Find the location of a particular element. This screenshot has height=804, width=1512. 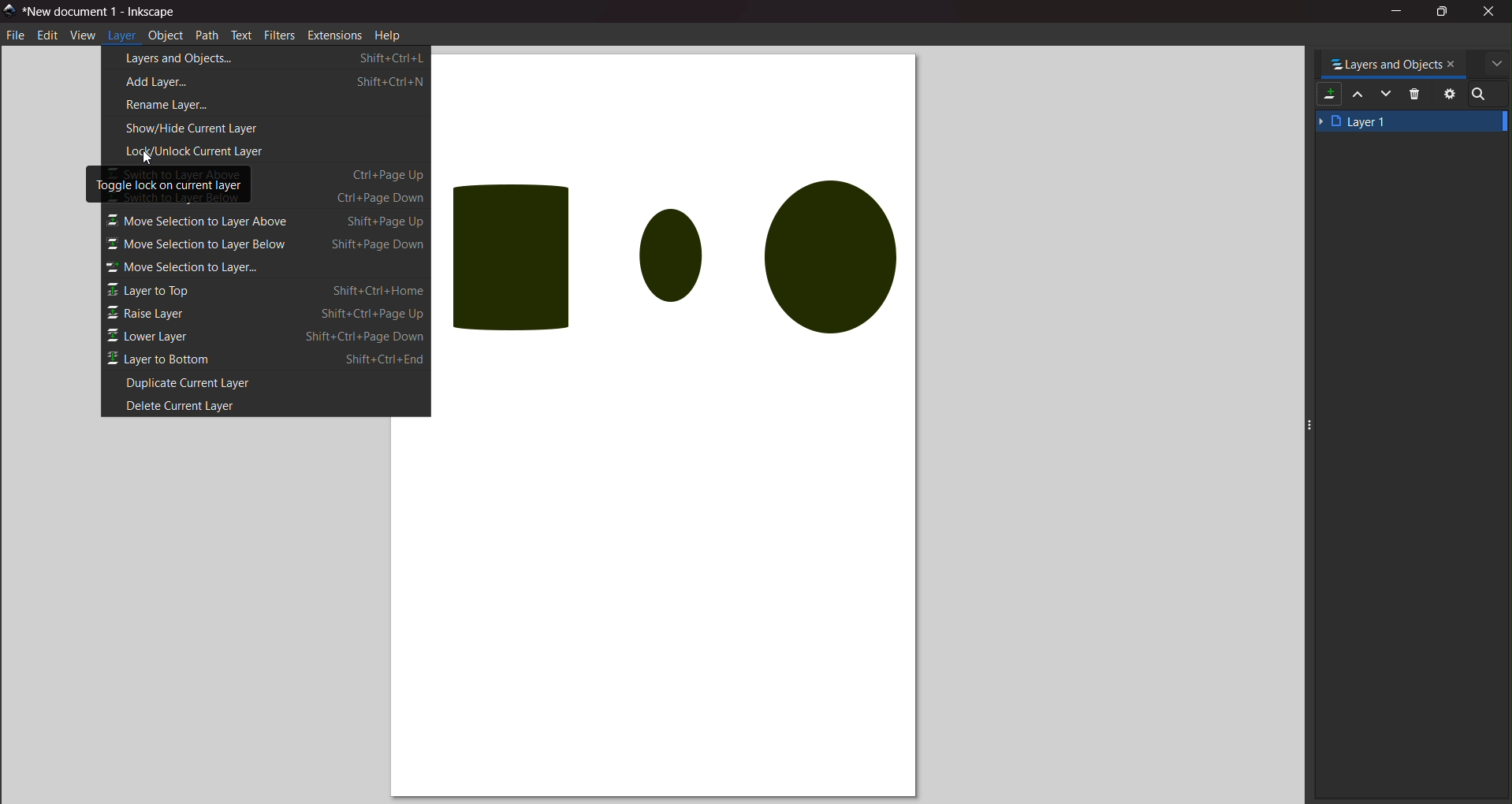

shortcuts is located at coordinates (378, 184).